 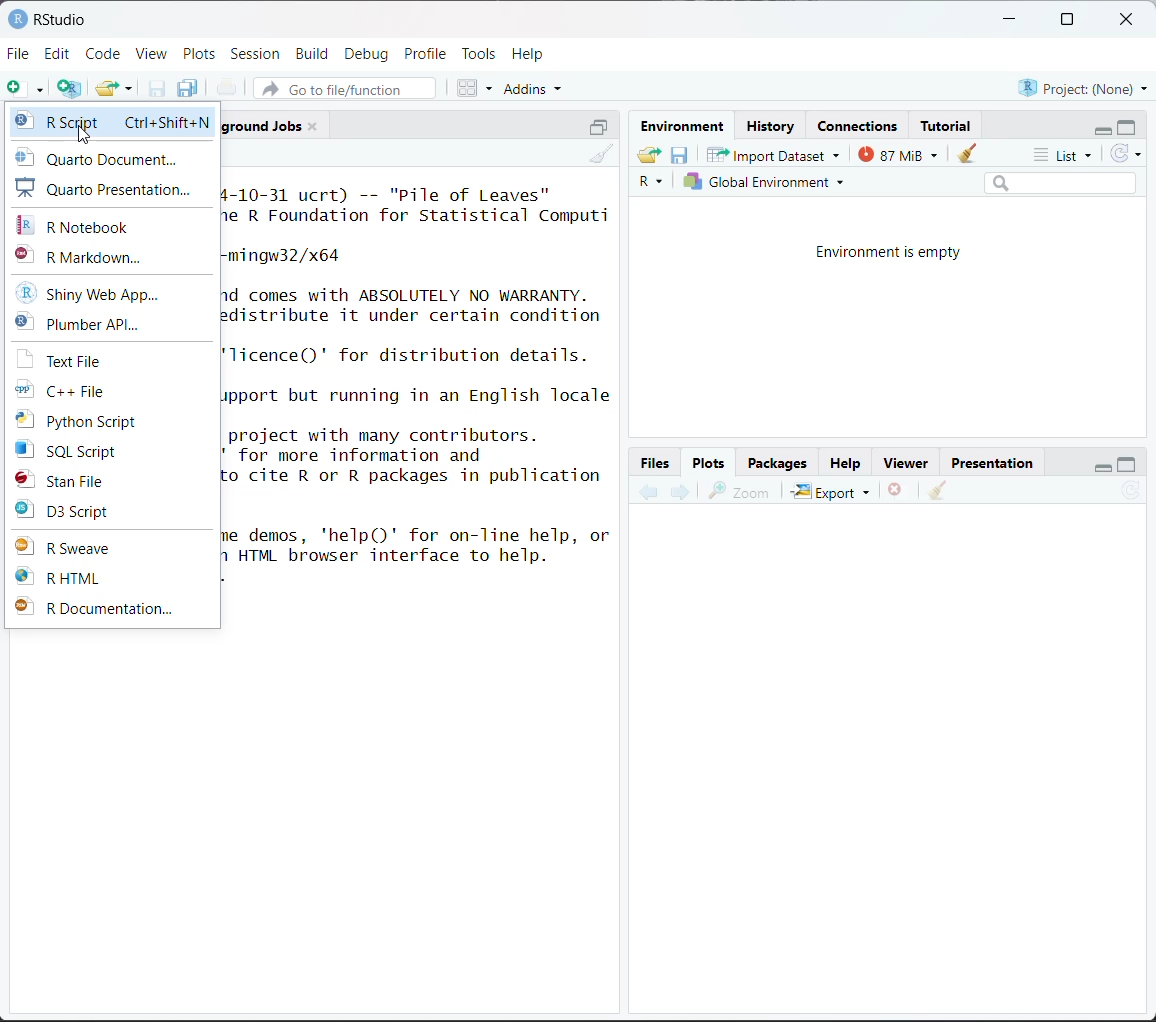 What do you see at coordinates (657, 462) in the screenshot?
I see `` at bounding box center [657, 462].